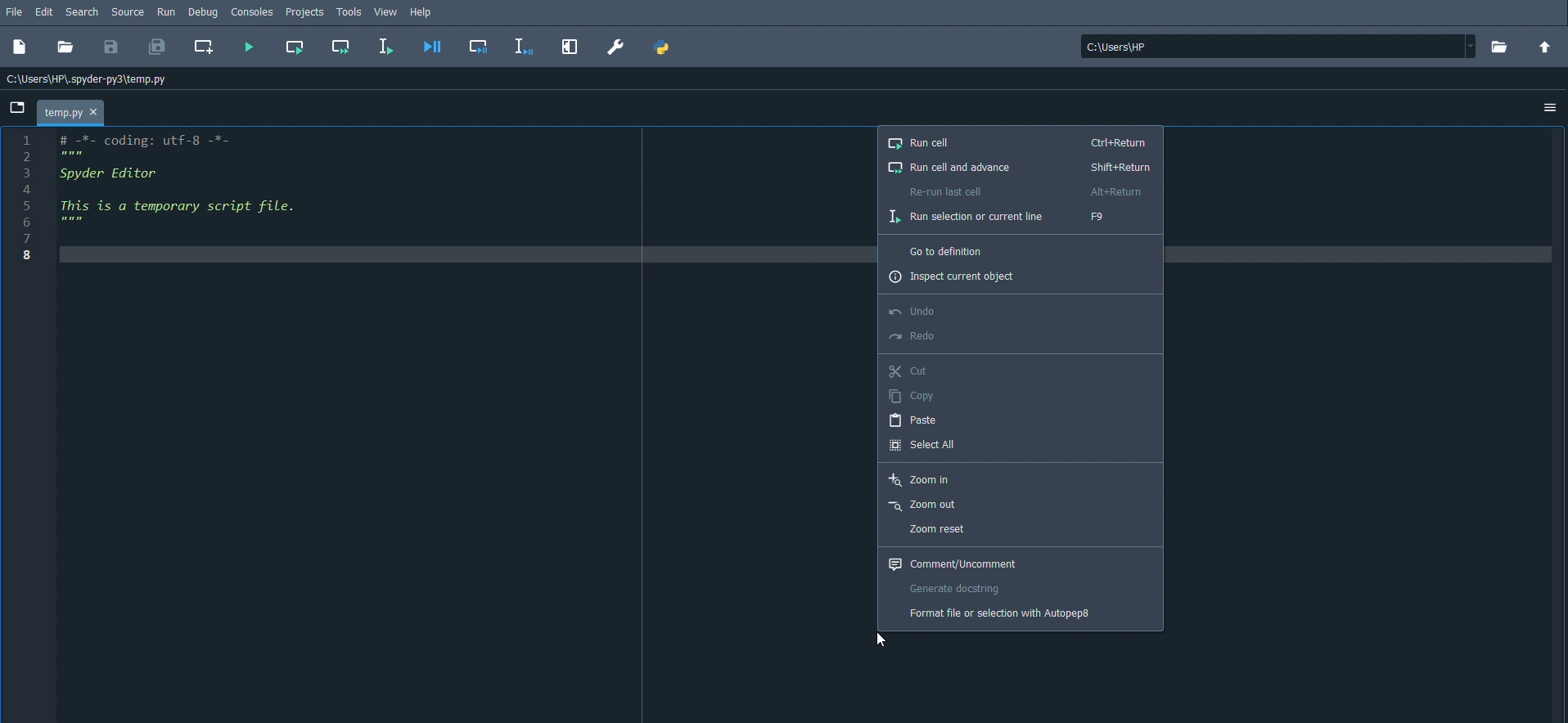  I want to click on Browse tabs, so click(18, 106).